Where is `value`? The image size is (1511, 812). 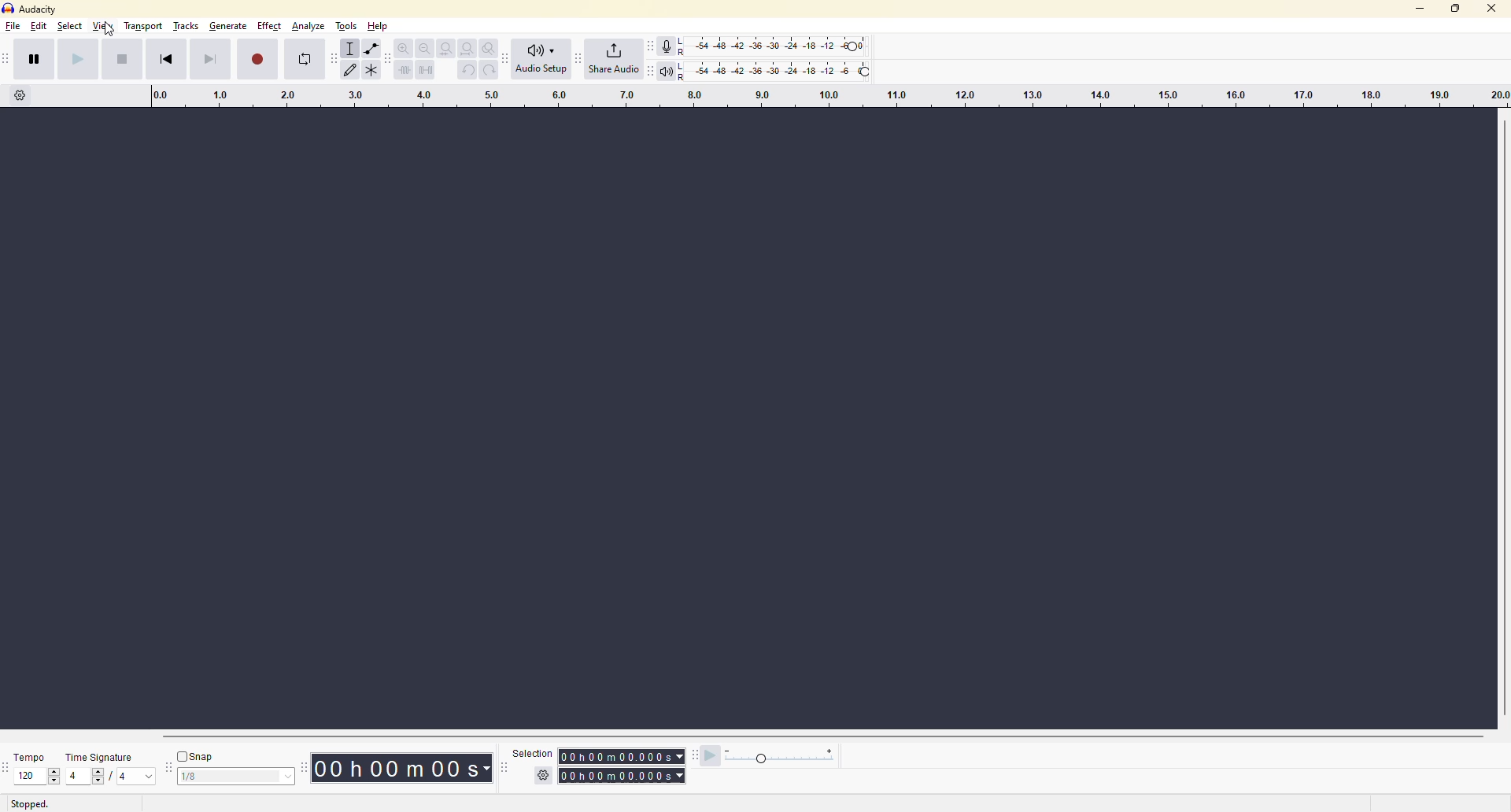
value is located at coordinates (233, 779).